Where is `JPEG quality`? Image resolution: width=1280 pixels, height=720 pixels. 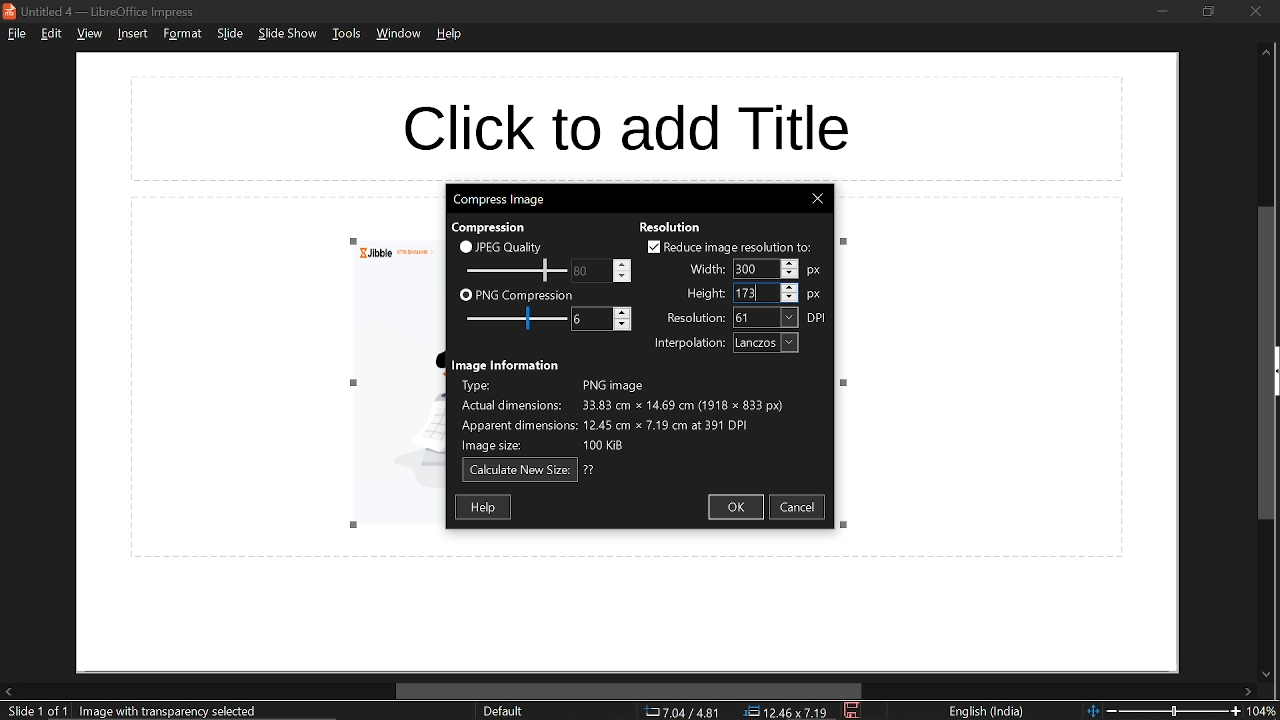
JPEG quality is located at coordinates (512, 247).